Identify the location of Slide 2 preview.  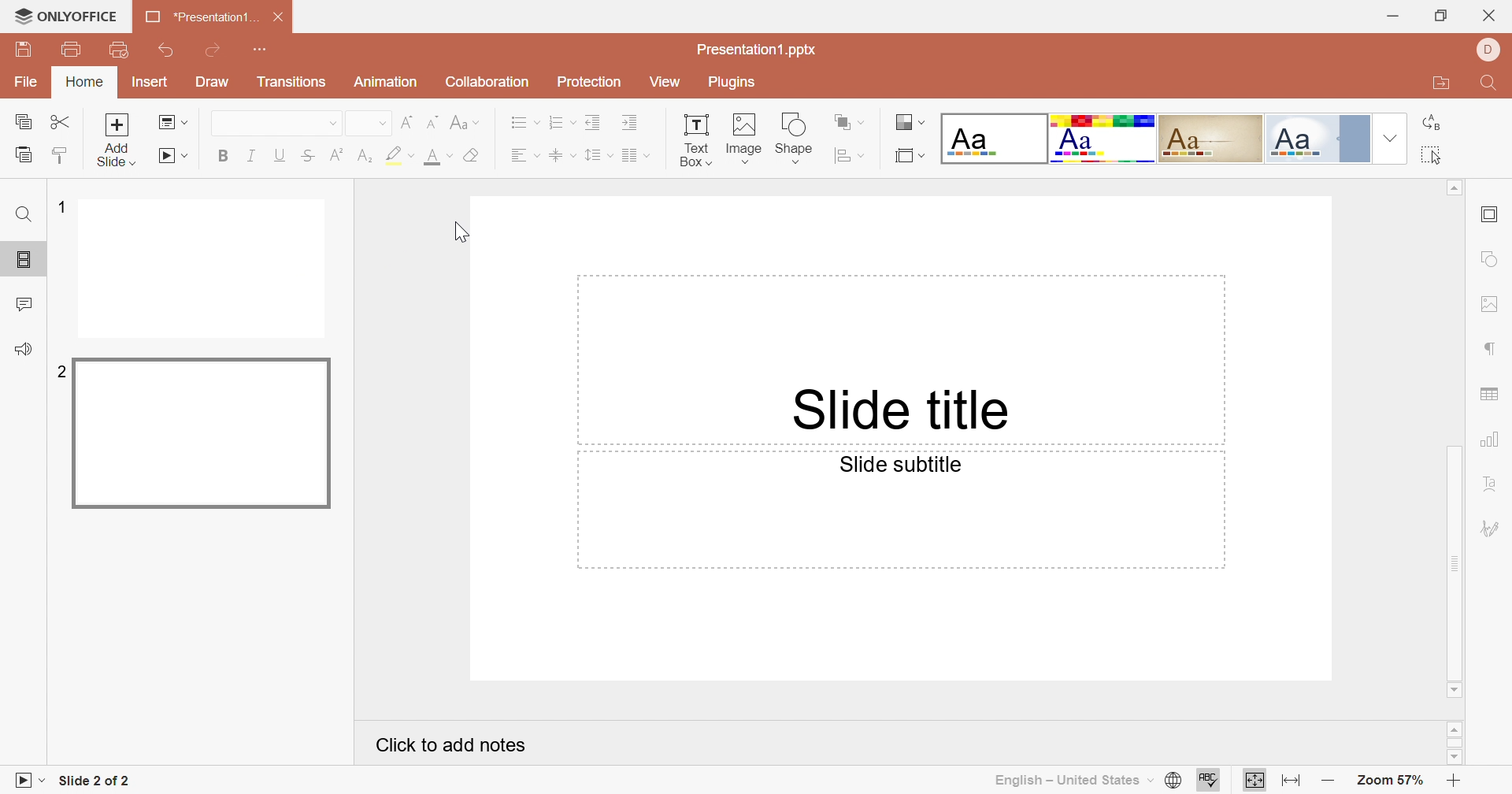
(204, 433).